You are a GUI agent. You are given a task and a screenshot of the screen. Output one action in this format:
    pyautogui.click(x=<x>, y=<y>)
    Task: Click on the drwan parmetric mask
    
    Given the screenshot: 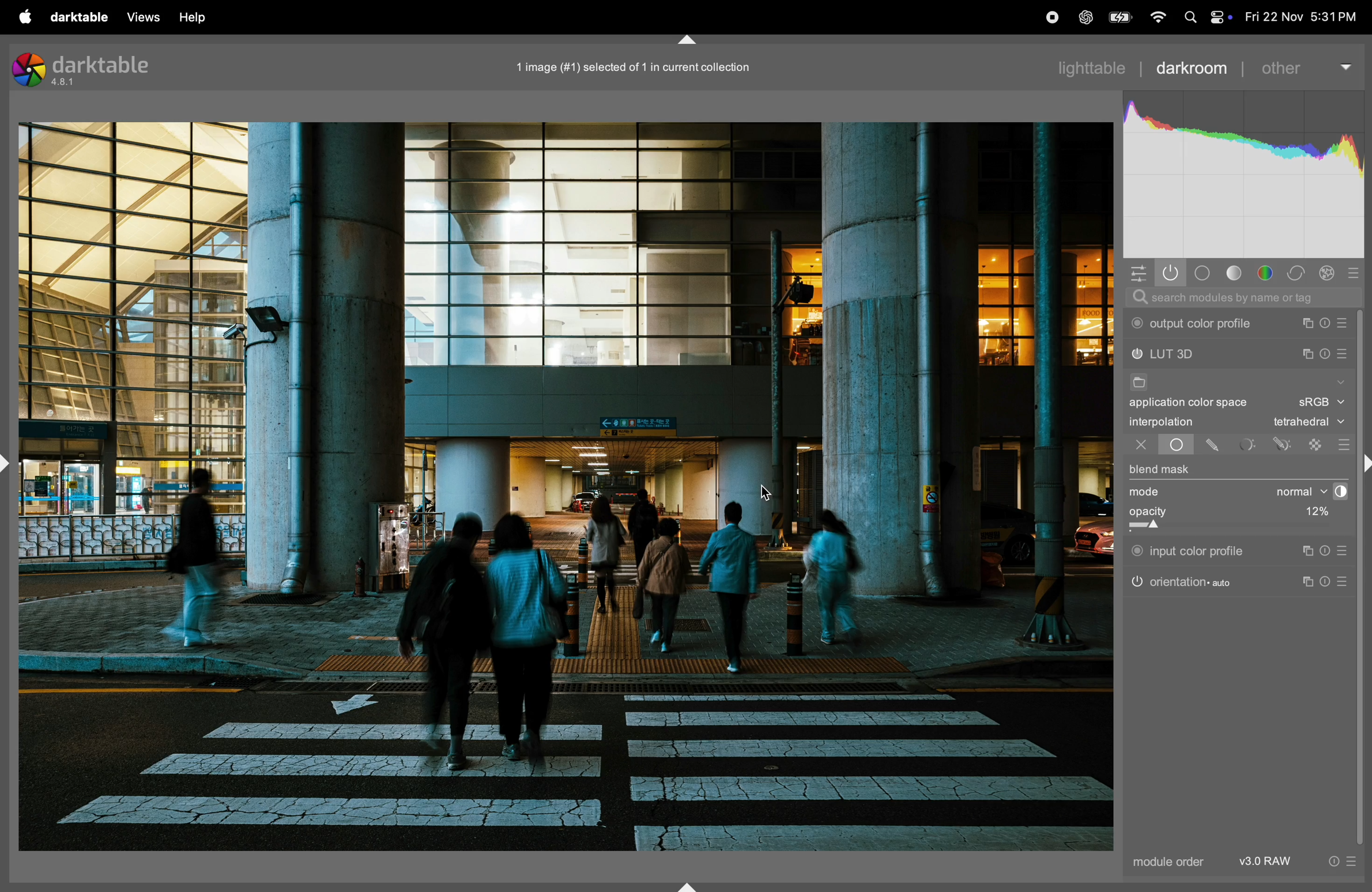 What is the action you would take?
    pyautogui.click(x=1285, y=443)
    